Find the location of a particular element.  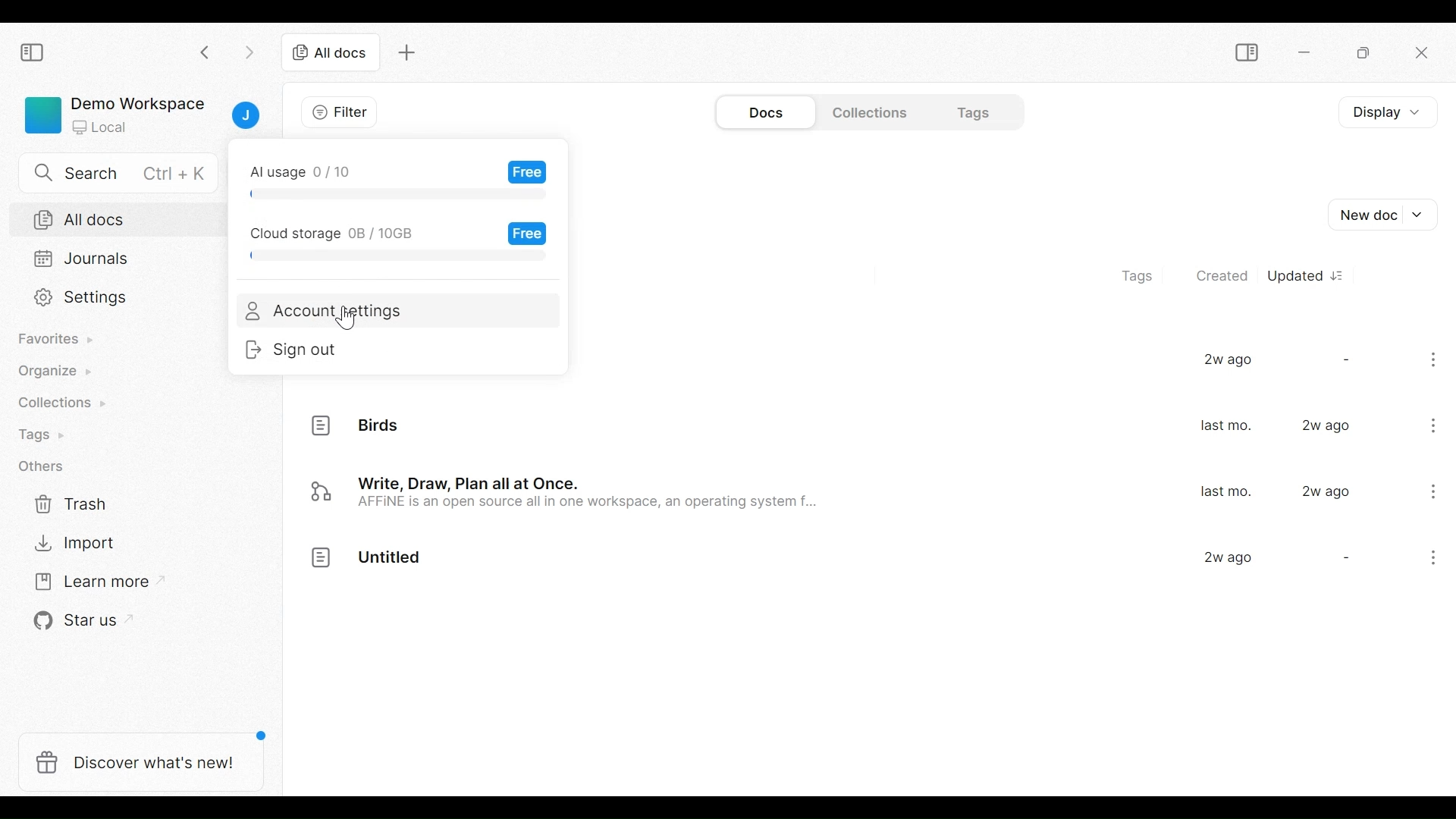

more options is located at coordinates (1435, 424).